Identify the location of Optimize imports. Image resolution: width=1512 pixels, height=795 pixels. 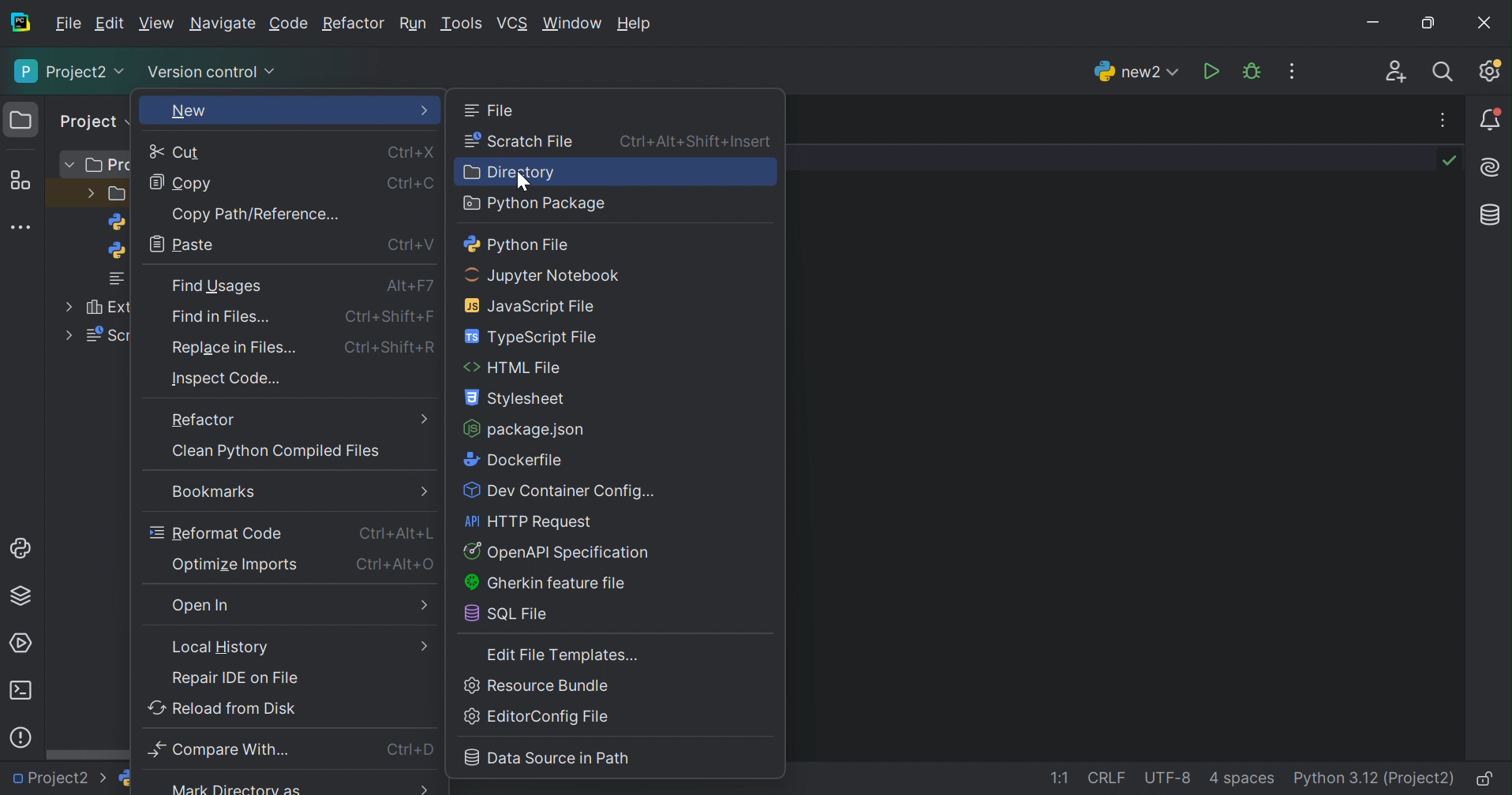
(235, 565).